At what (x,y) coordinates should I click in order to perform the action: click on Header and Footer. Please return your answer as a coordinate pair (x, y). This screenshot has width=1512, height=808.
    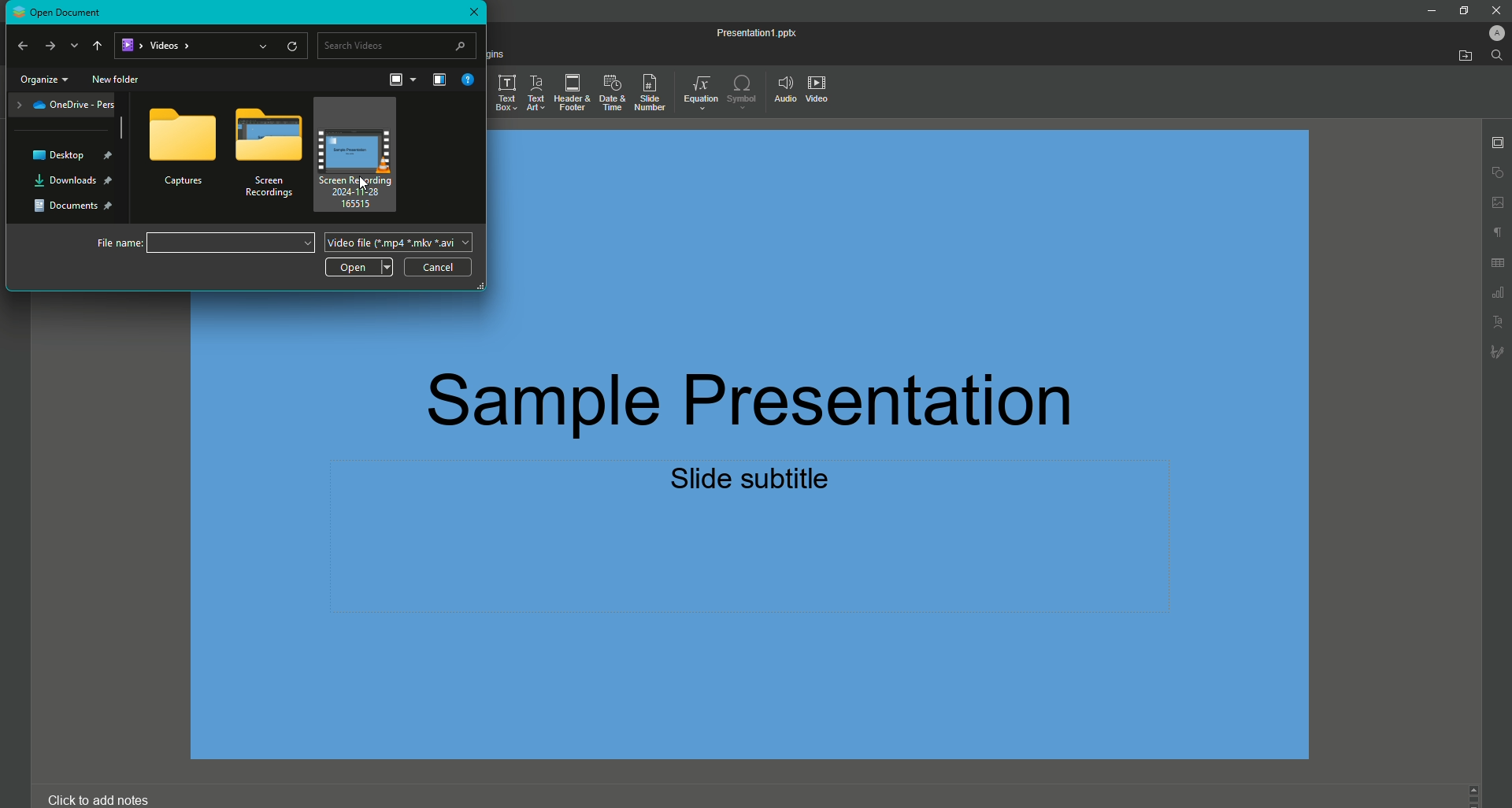
    Looking at the image, I should click on (569, 93).